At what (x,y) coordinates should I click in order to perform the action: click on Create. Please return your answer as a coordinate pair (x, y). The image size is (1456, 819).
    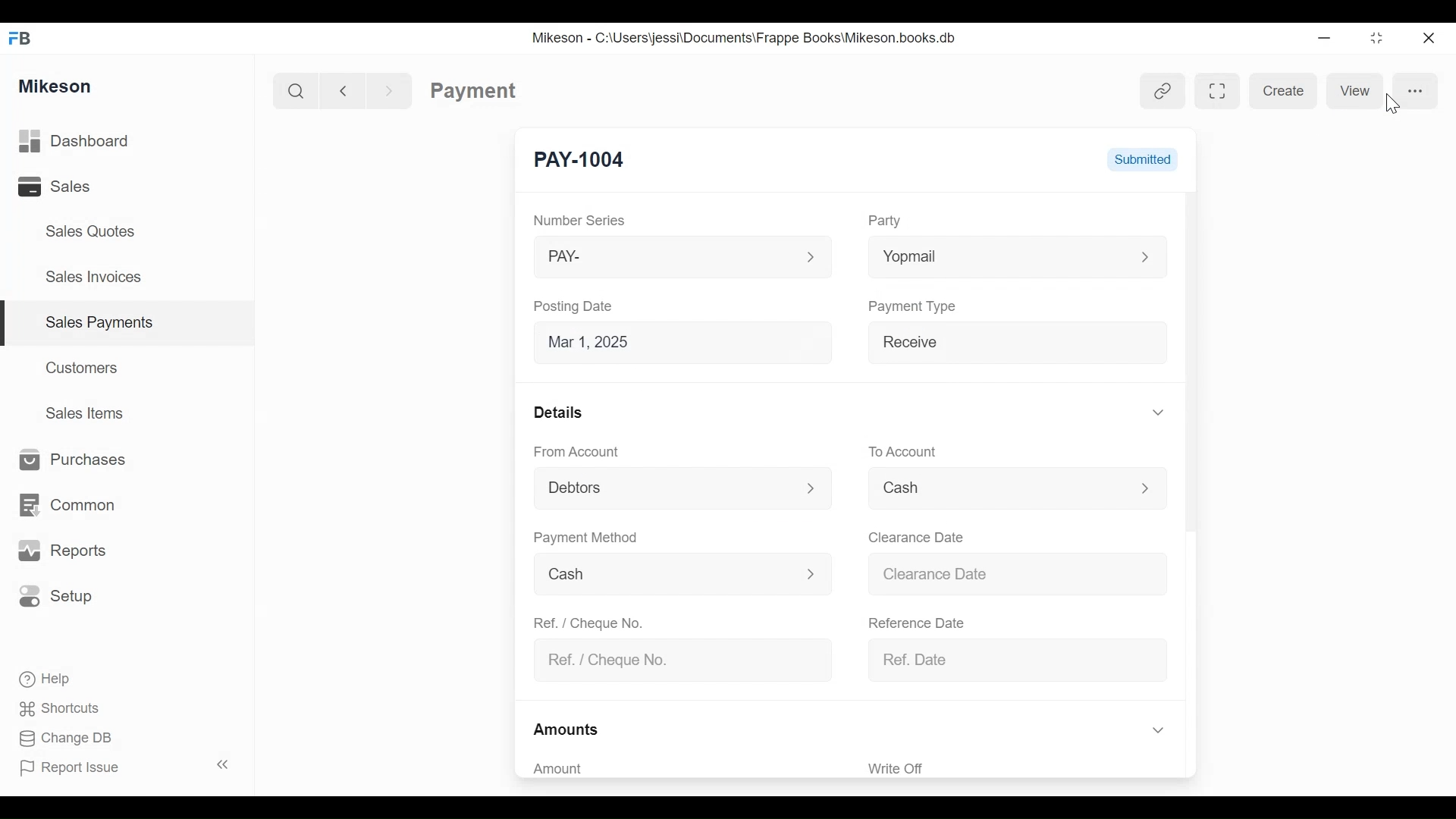
    Looking at the image, I should click on (1283, 89).